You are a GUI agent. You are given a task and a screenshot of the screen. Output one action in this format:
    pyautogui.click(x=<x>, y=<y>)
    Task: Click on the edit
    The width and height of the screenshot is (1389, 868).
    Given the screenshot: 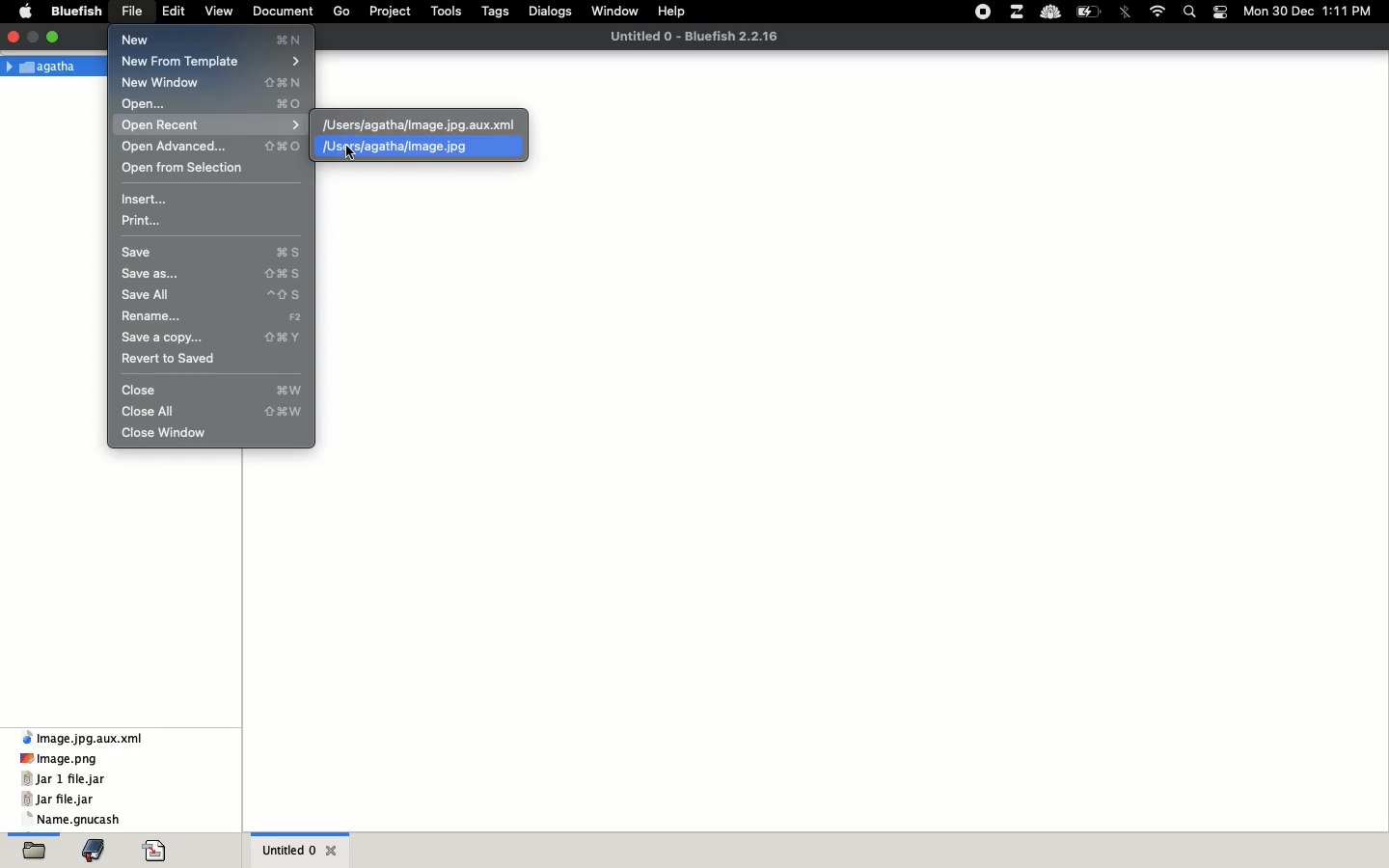 What is the action you would take?
    pyautogui.click(x=175, y=10)
    